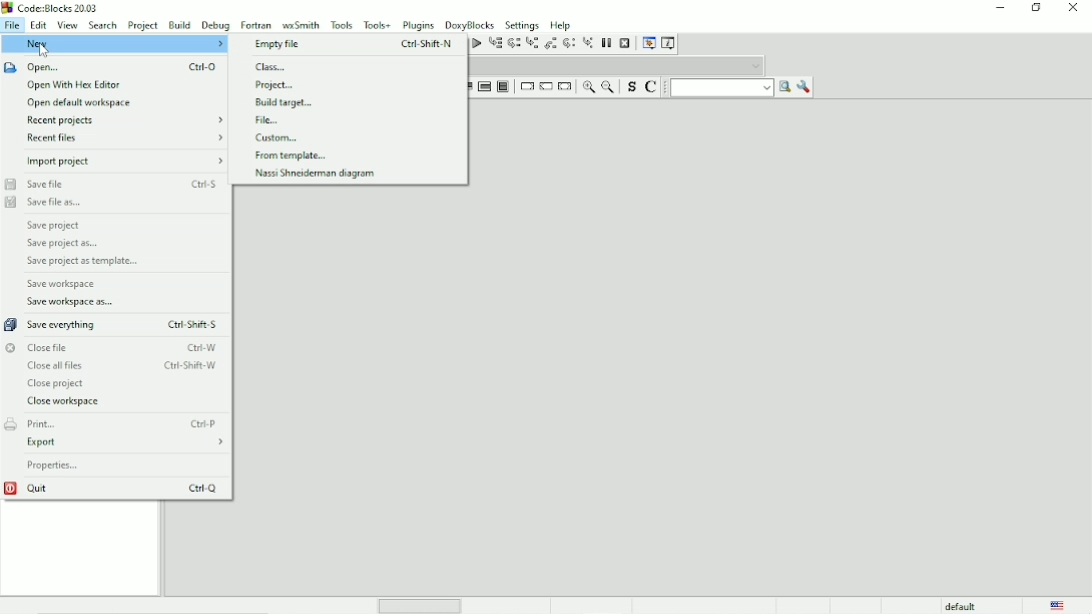 The image size is (1092, 614). What do you see at coordinates (588, 87) in the screenshot?
I see `Zoom in` at bounding box center [588, 87].